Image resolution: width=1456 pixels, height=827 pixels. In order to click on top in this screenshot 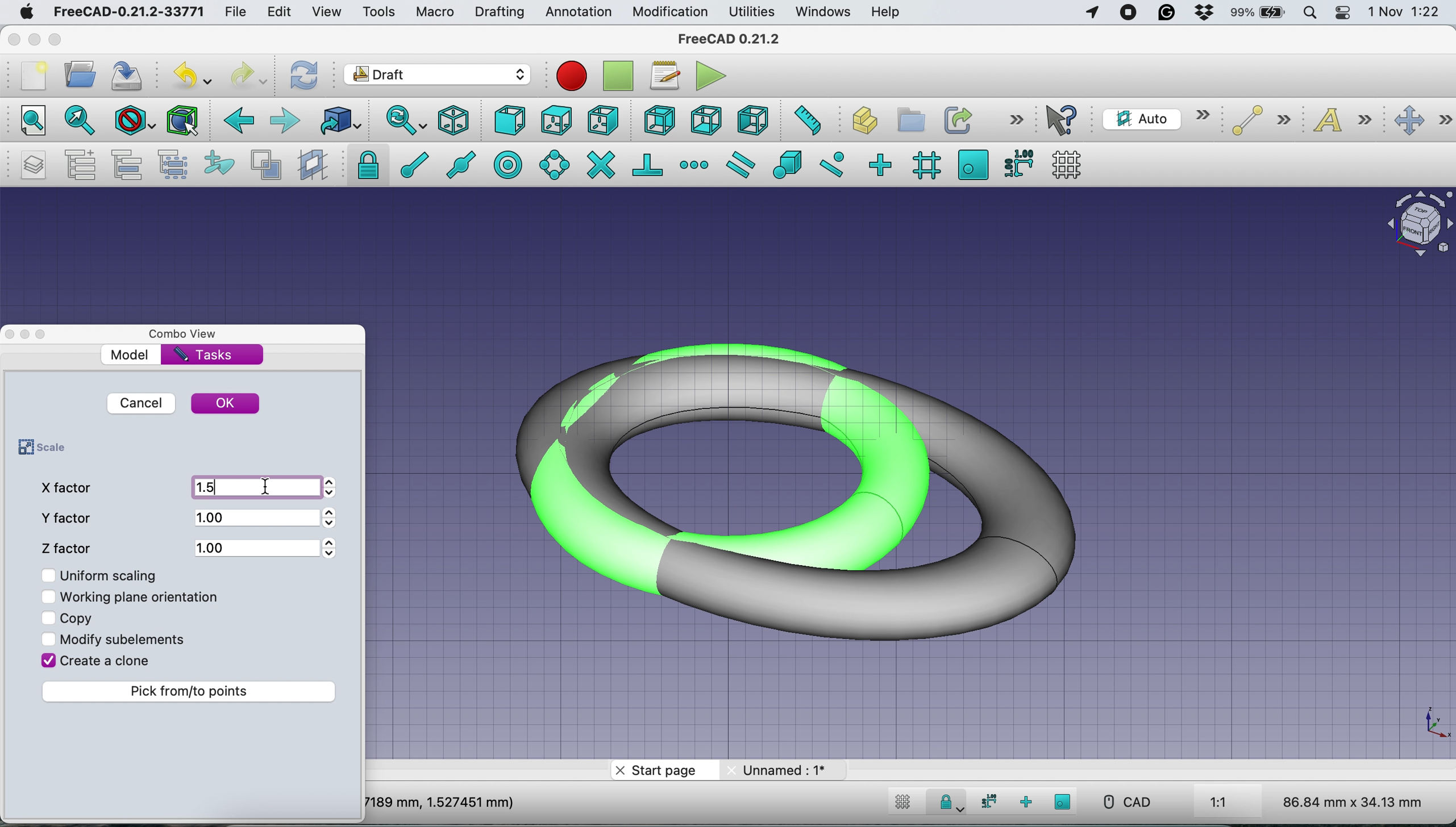, I will do `click(555, 119)`.